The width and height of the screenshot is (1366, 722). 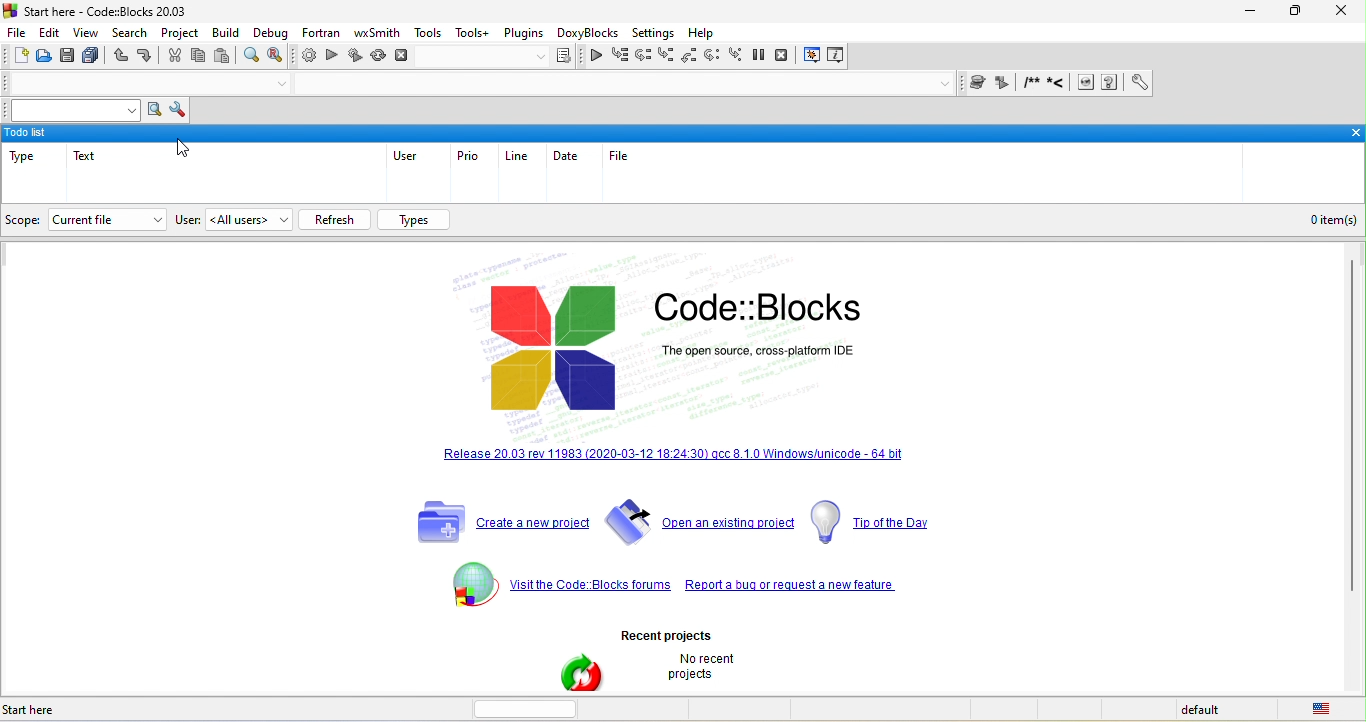 I want to click on tools+, so click(x=473, y=34).